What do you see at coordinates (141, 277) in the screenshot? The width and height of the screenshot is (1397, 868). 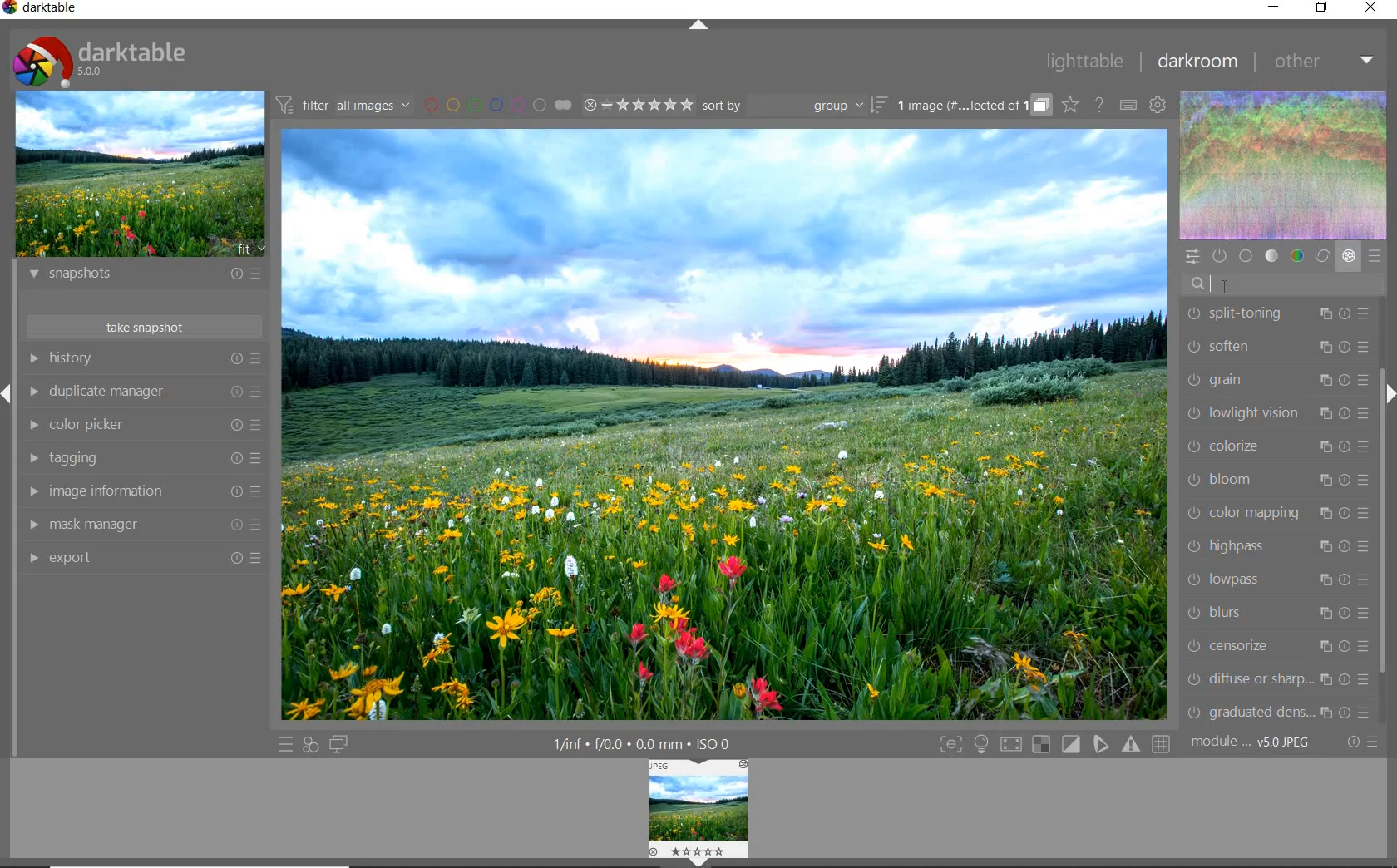 I see `snapshots` at bounding box center [141, 277].